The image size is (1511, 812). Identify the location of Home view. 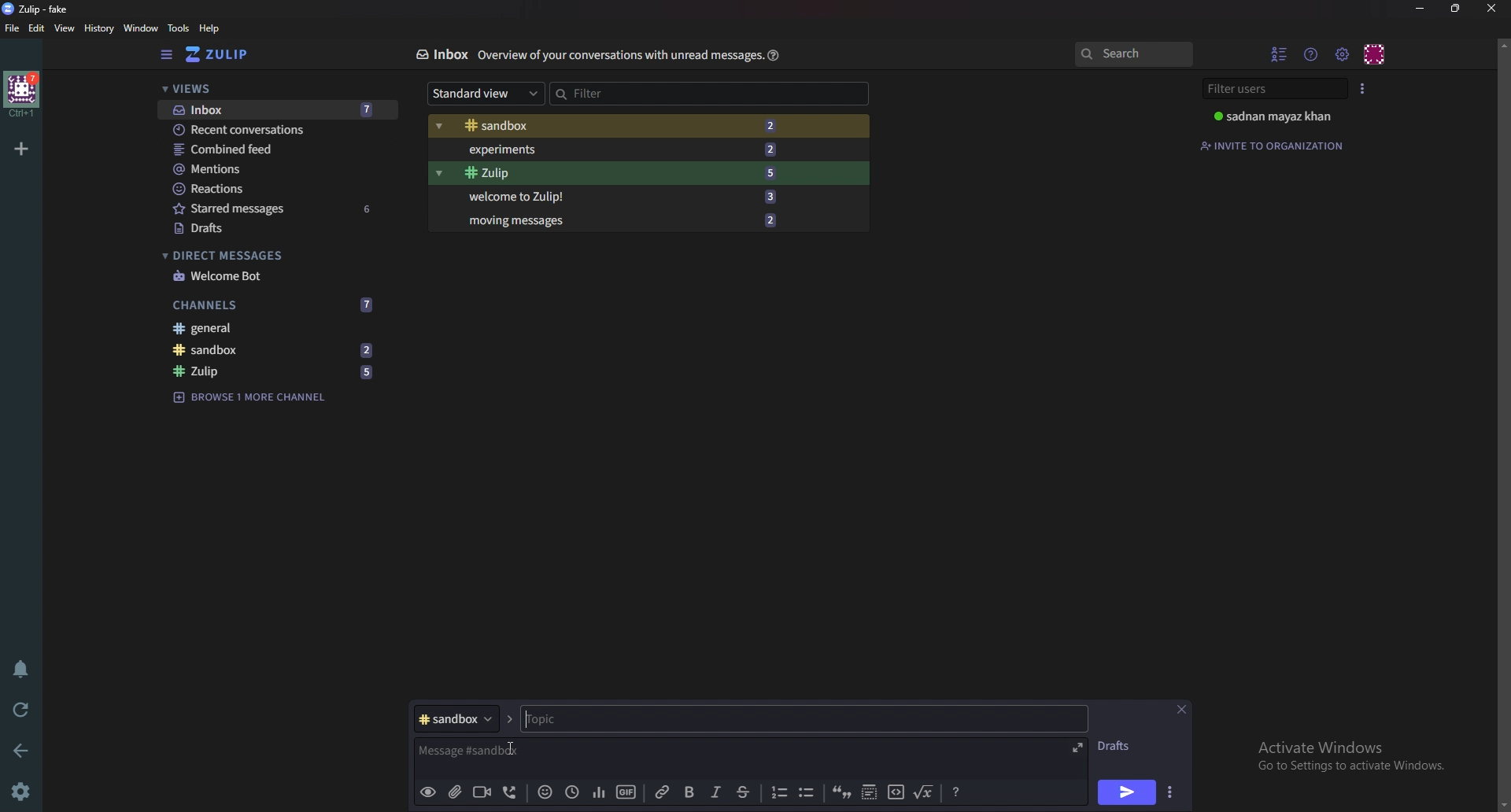
(228, 54).